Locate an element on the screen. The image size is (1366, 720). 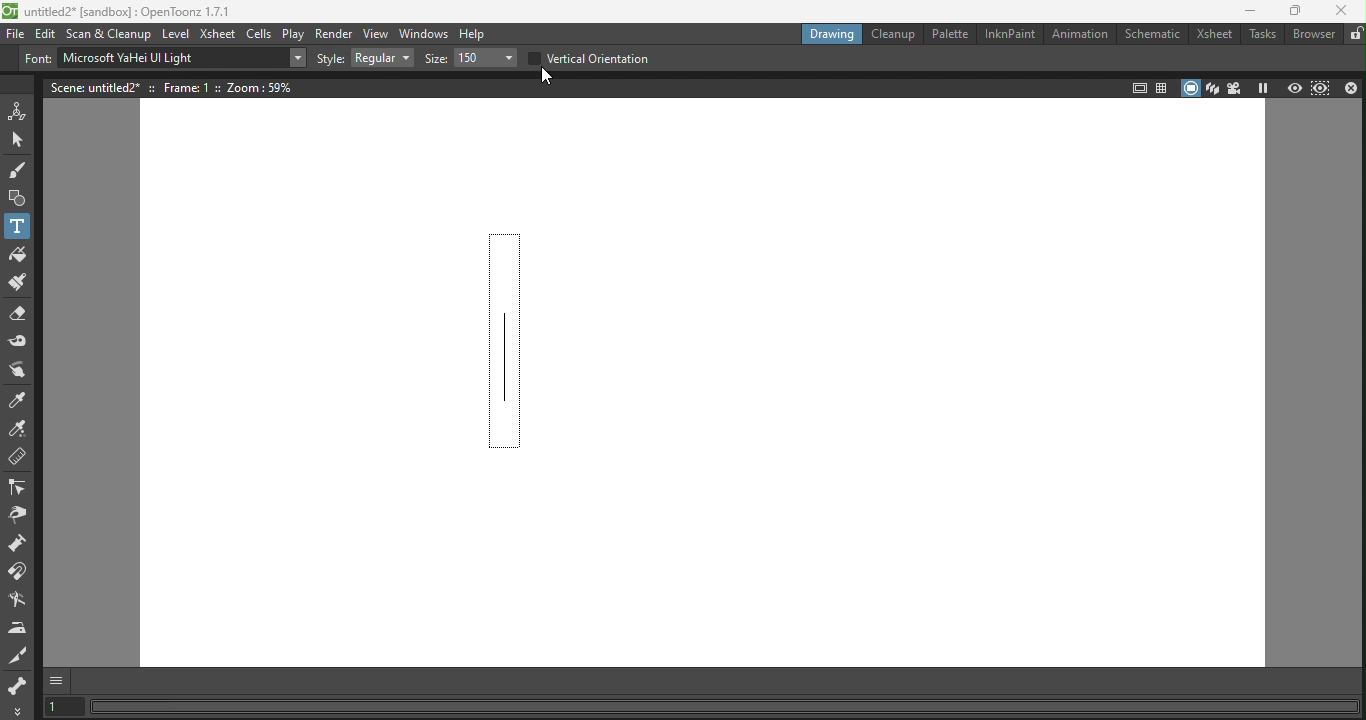
More Tools is located at coordinates (18, 709).